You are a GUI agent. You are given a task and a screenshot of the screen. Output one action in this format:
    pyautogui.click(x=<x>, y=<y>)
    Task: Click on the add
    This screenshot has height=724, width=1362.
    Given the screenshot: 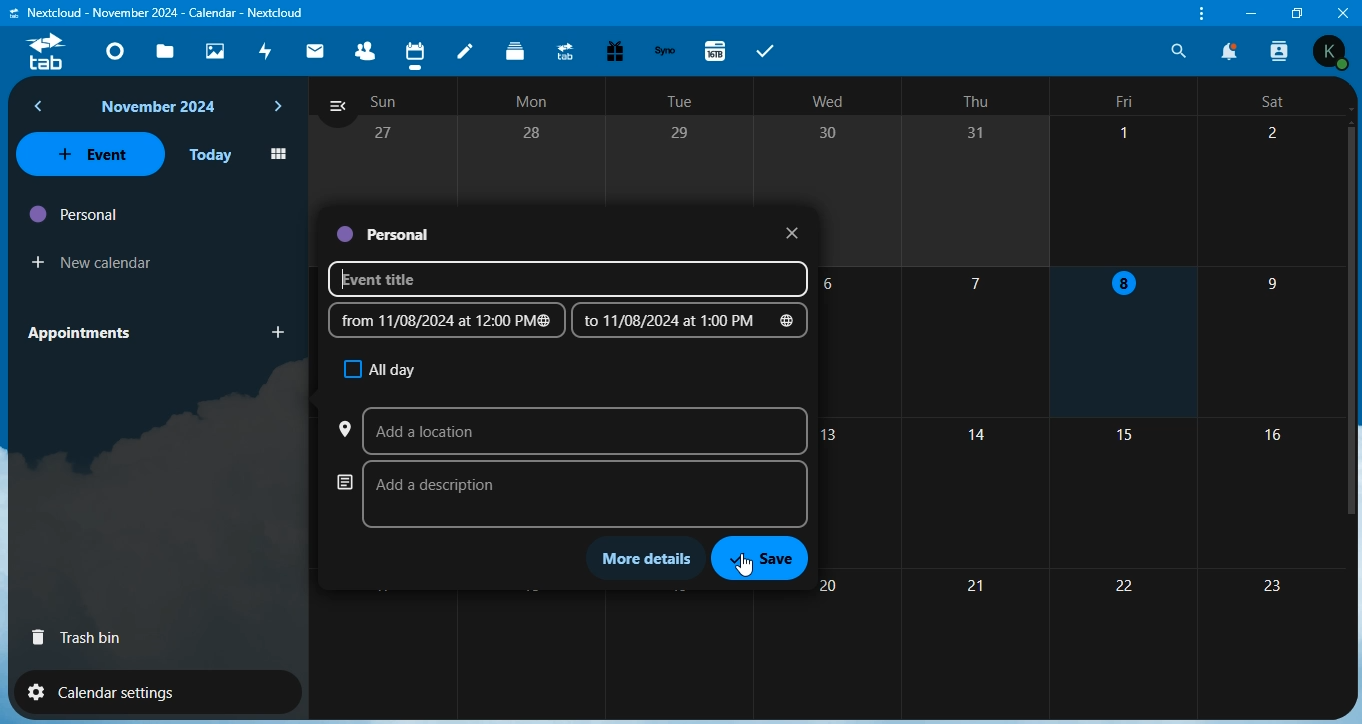 What is the action you would take?
    pyautogui.click(x=274, y=335)
    